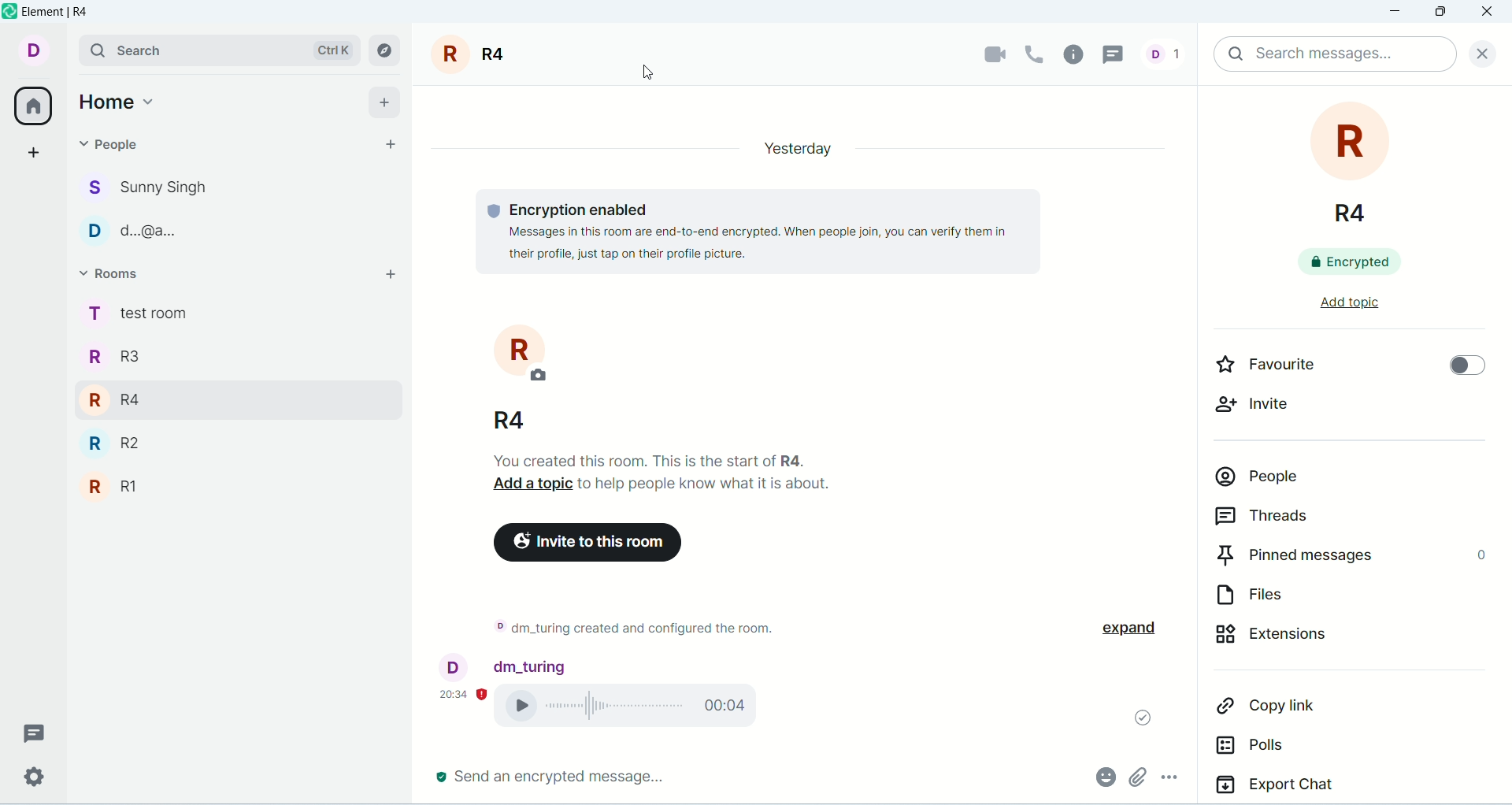 The width and height of the screenshot is (1512, 805). I want to click on add topic, so click(1335, 310).